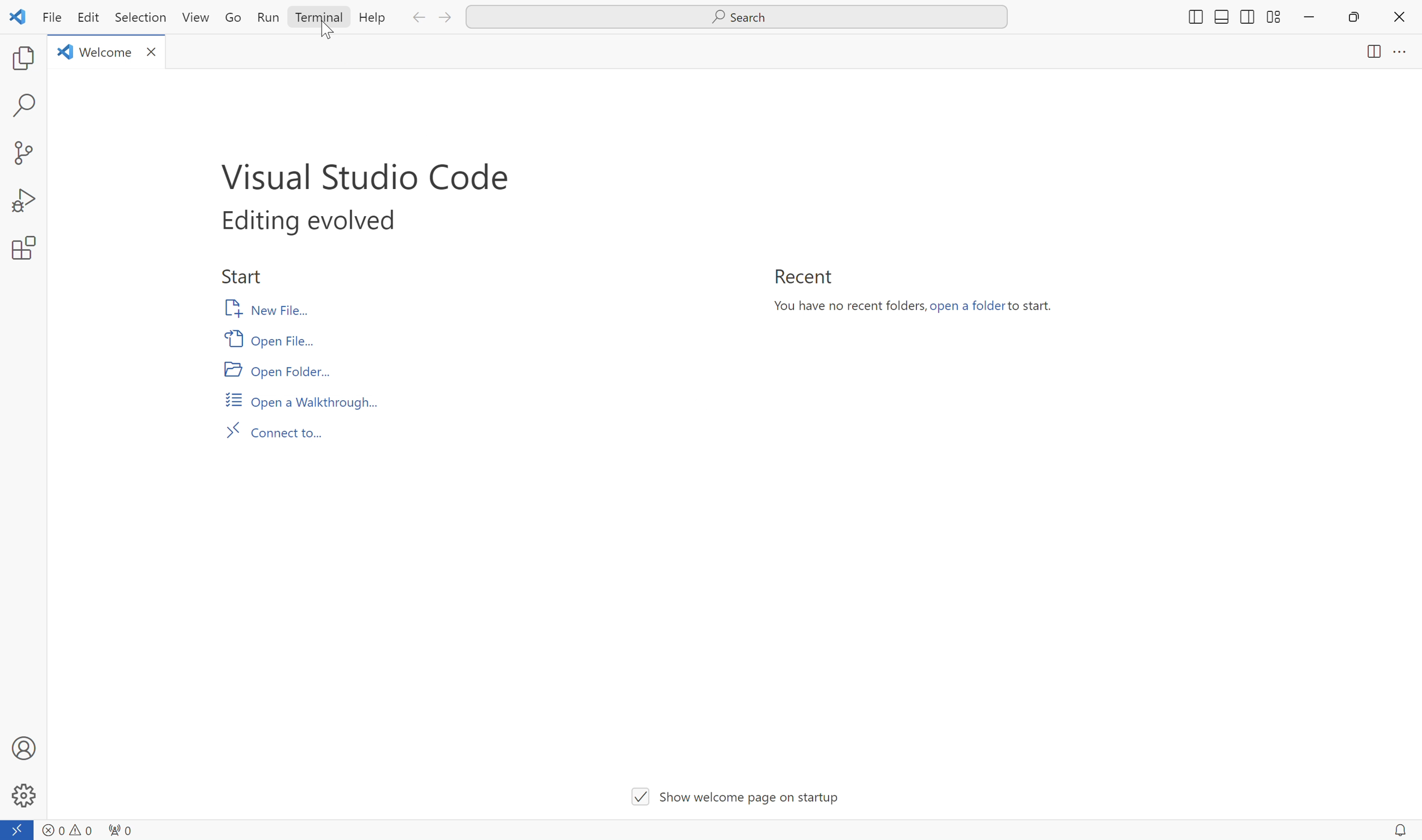  What do you see at coordinates (108, 51) in the screenshot?
I see `Welcome ` at bounding box center [108, 51].